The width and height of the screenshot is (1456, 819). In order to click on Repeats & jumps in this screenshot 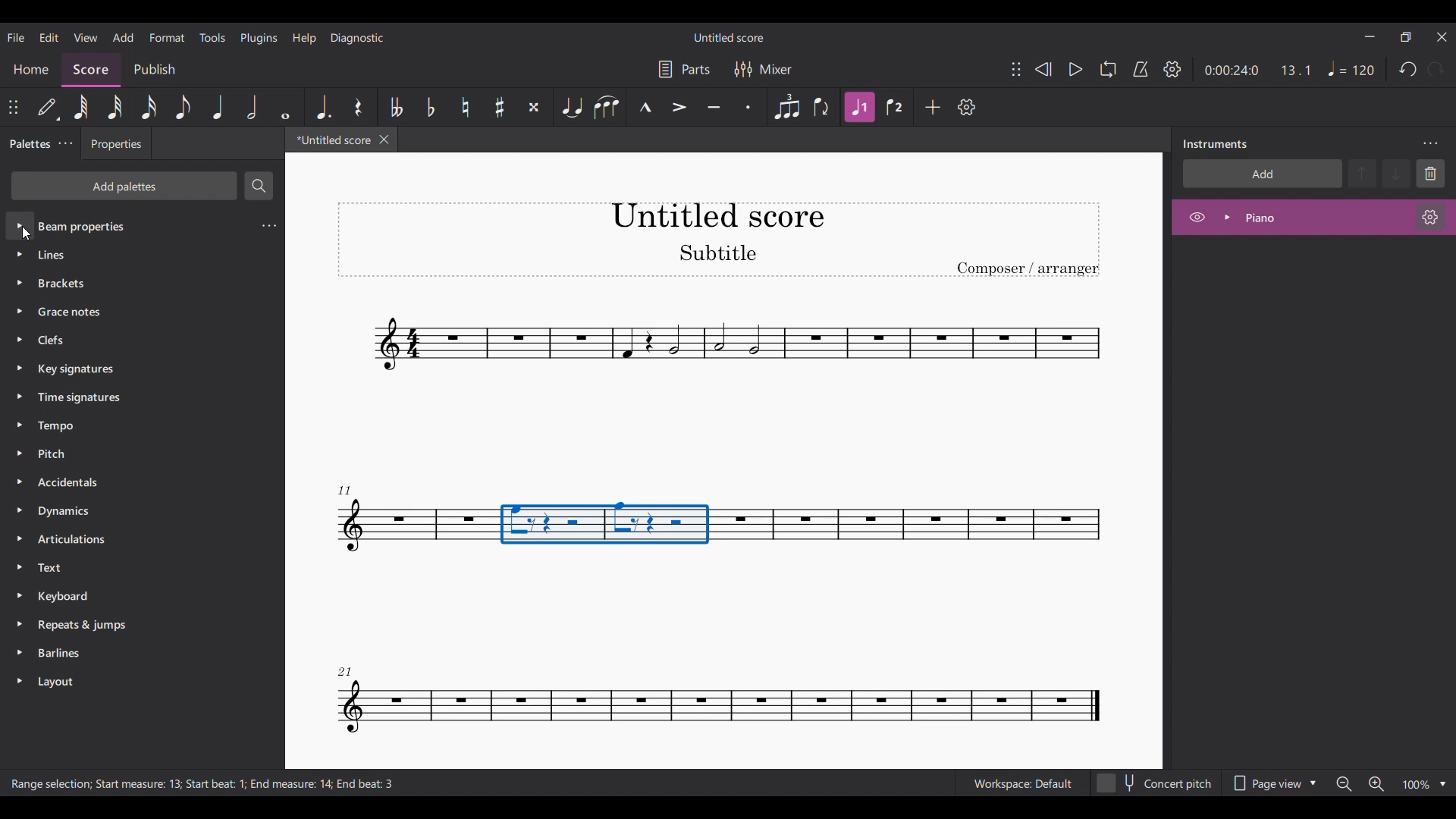, I will do `click(130, 624)`.